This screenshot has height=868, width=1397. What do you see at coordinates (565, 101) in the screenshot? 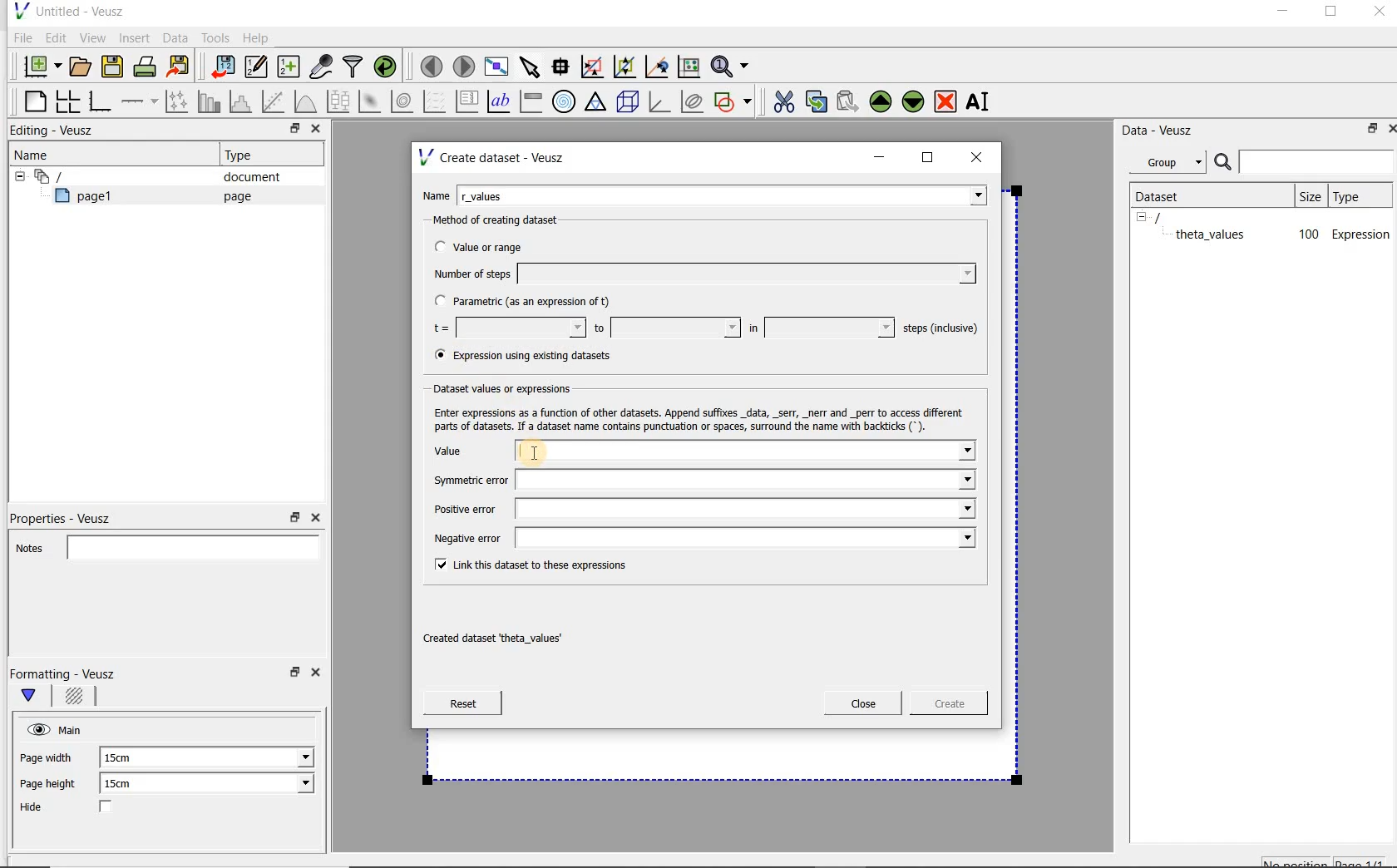
I see `polar graph` at bounding box center [565, 101].